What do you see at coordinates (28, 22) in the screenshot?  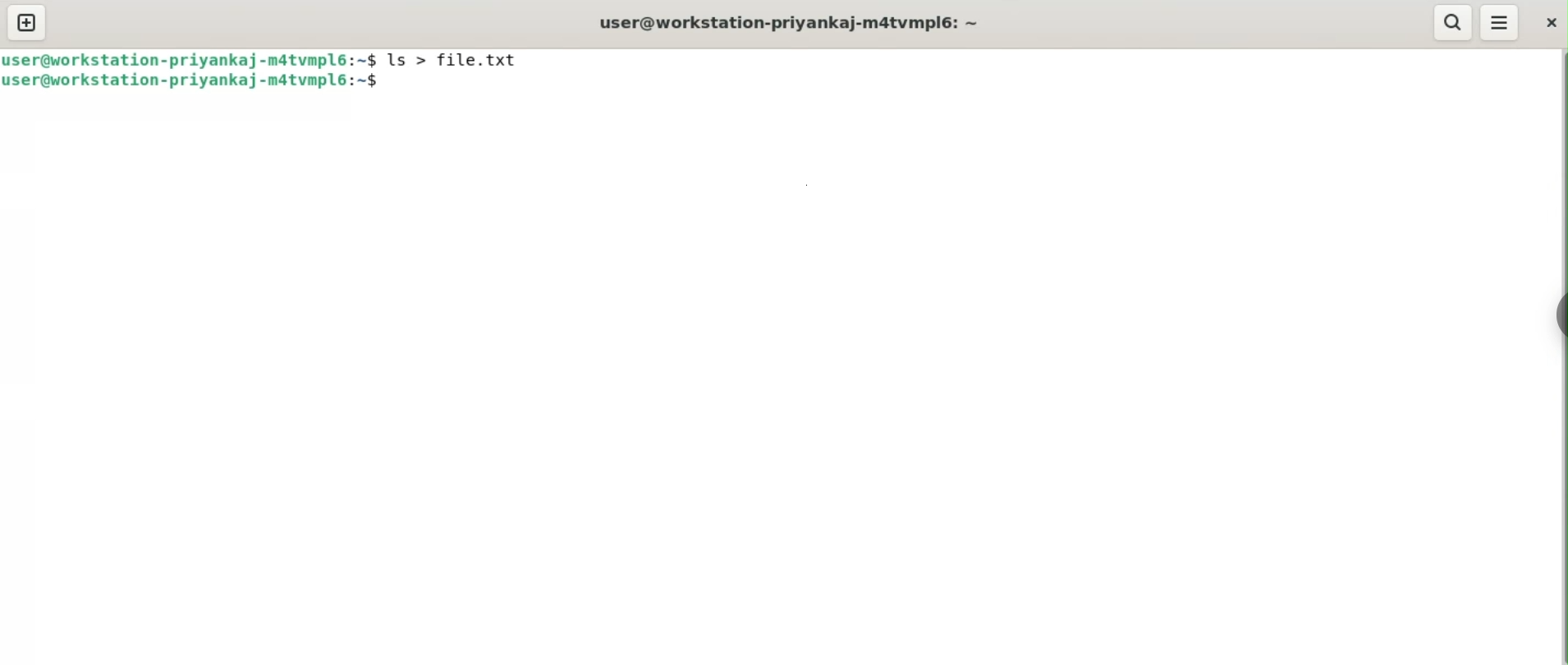 I see `new tab` at bounding box center [28, 22].